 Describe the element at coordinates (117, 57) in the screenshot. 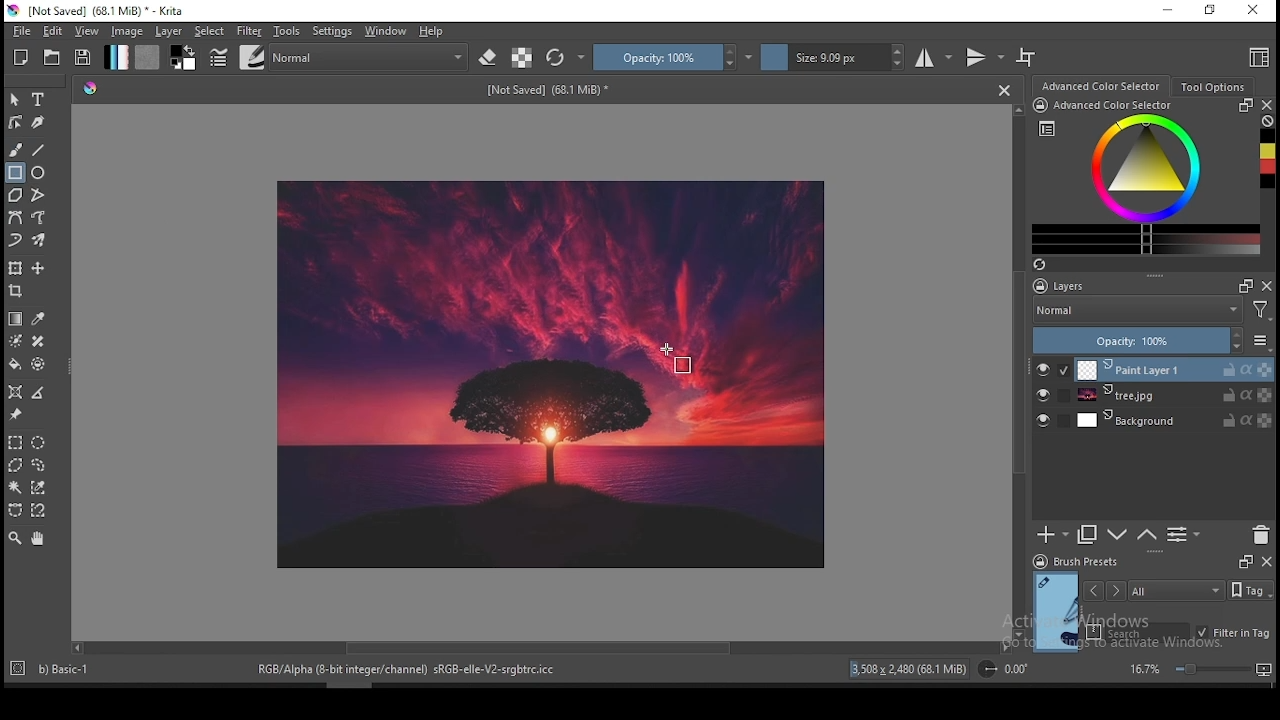

I see `gradient fill` at that location.